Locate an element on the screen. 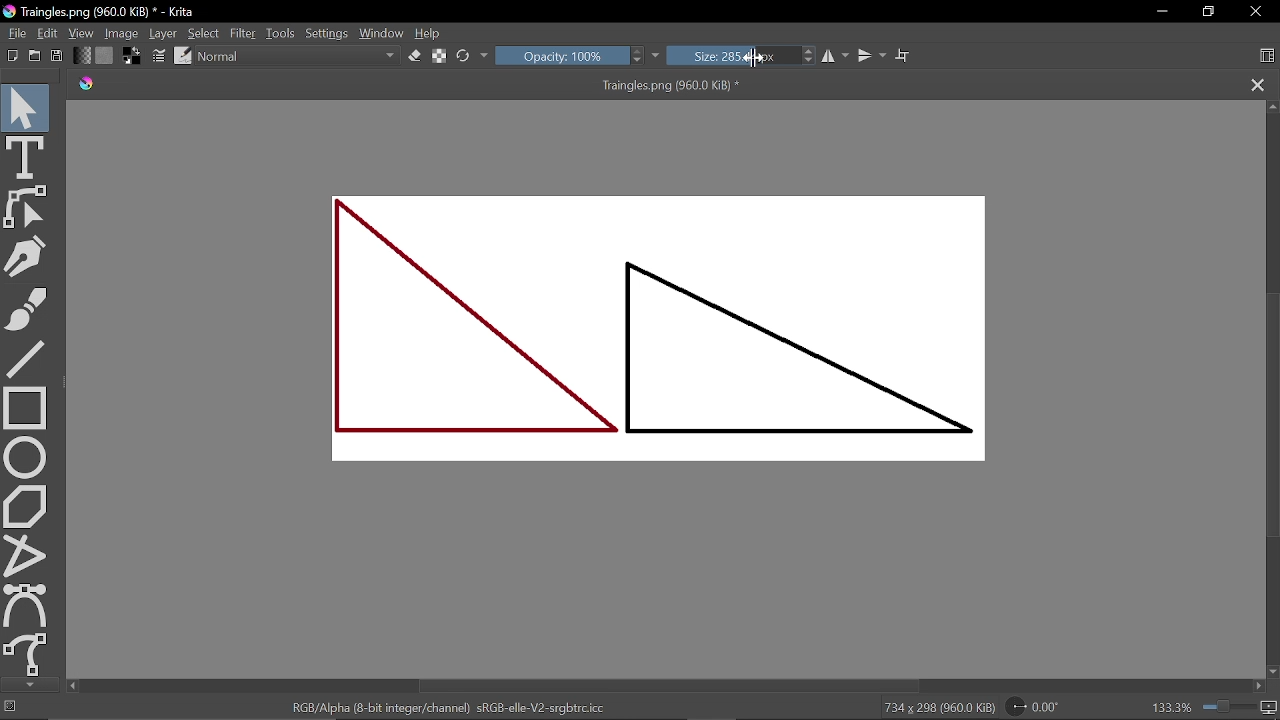 The width and height of the screenshot is (1280, 720). preserve alpha is located at coordinates (437, 57).